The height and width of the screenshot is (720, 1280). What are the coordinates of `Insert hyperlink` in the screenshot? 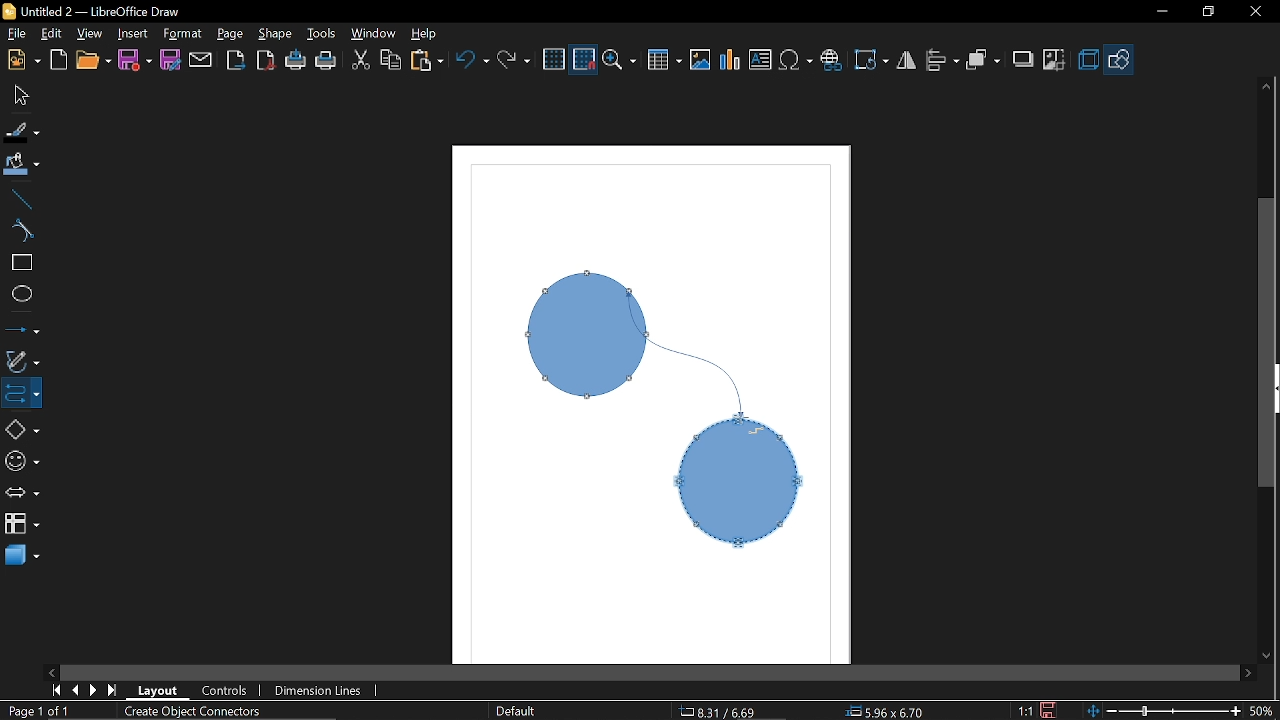 It's located at (833, 61).